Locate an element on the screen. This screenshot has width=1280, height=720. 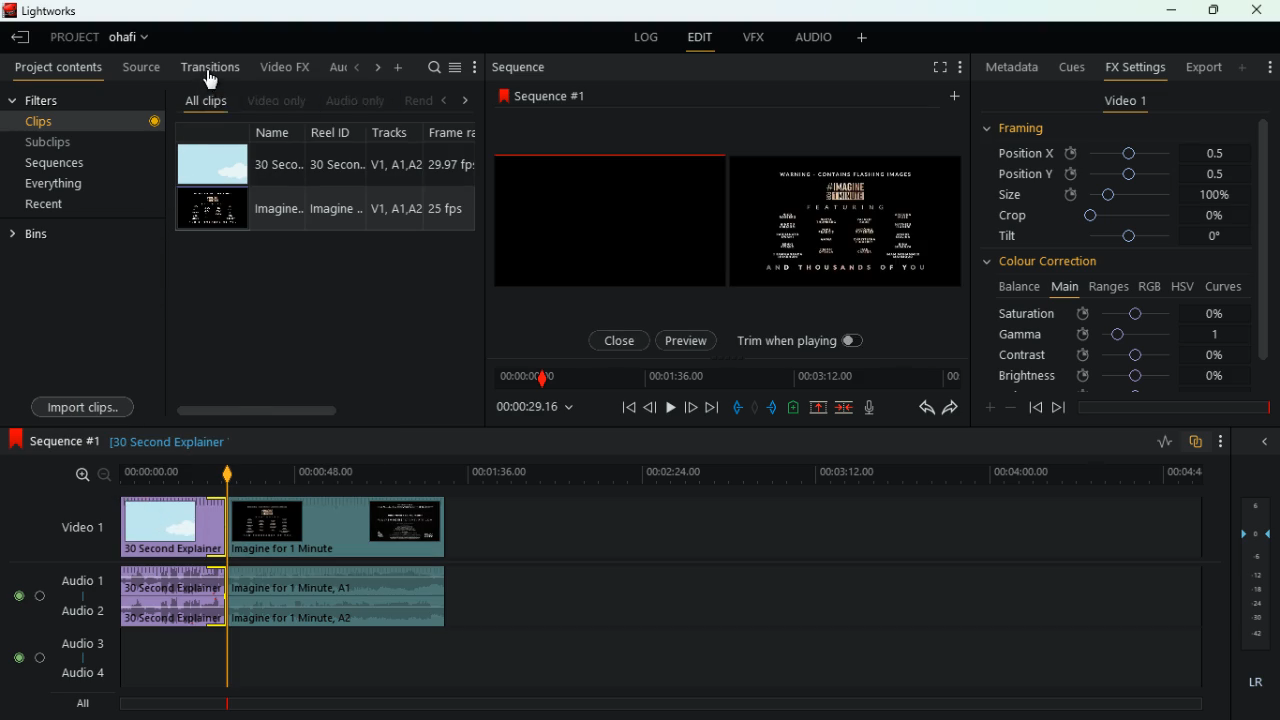
filters is located at coordinates (50, 101).